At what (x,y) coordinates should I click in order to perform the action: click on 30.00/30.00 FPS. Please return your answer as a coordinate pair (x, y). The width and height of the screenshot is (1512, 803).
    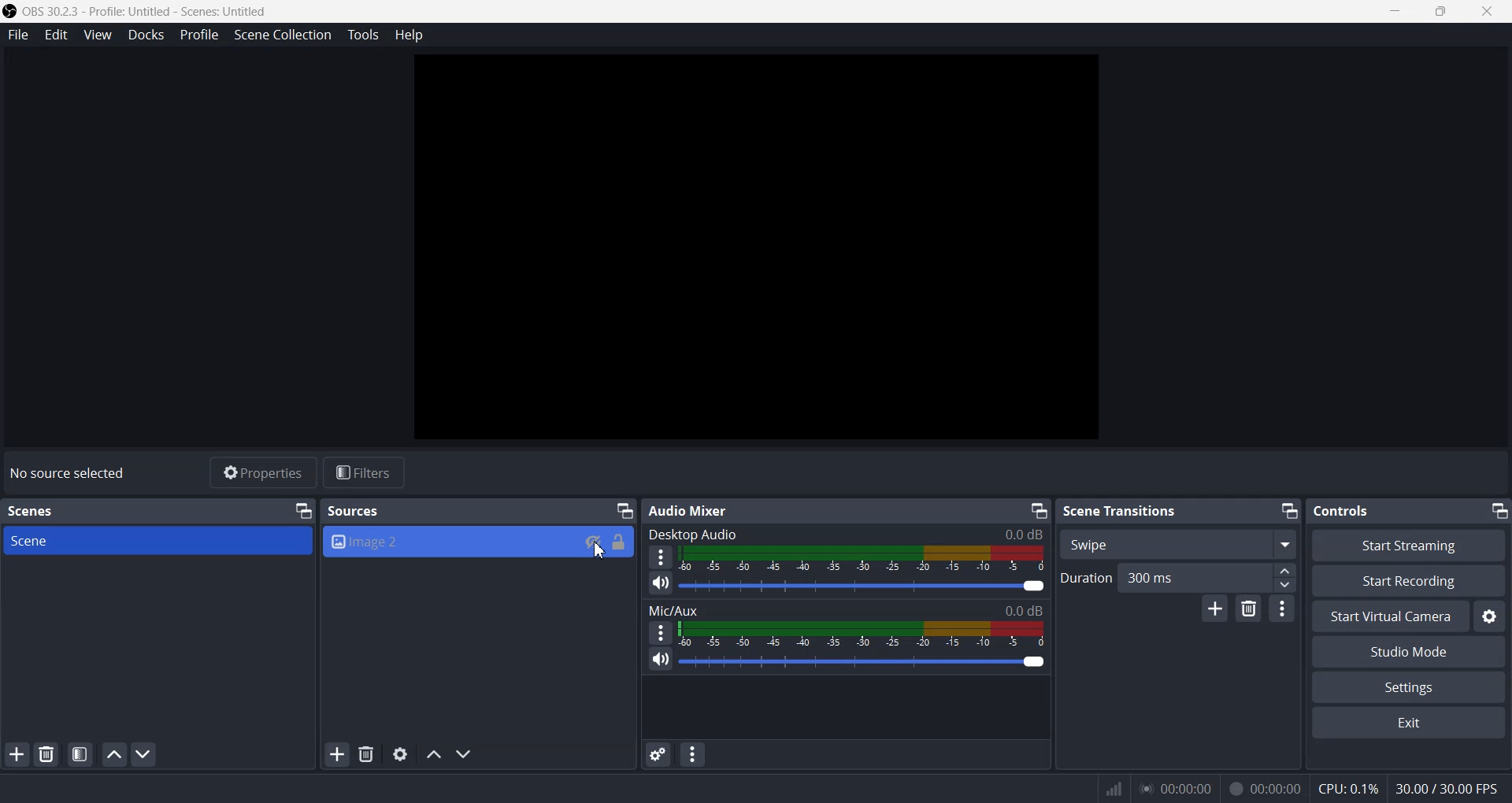
    Looking at the image, I should click on (1451, 787).